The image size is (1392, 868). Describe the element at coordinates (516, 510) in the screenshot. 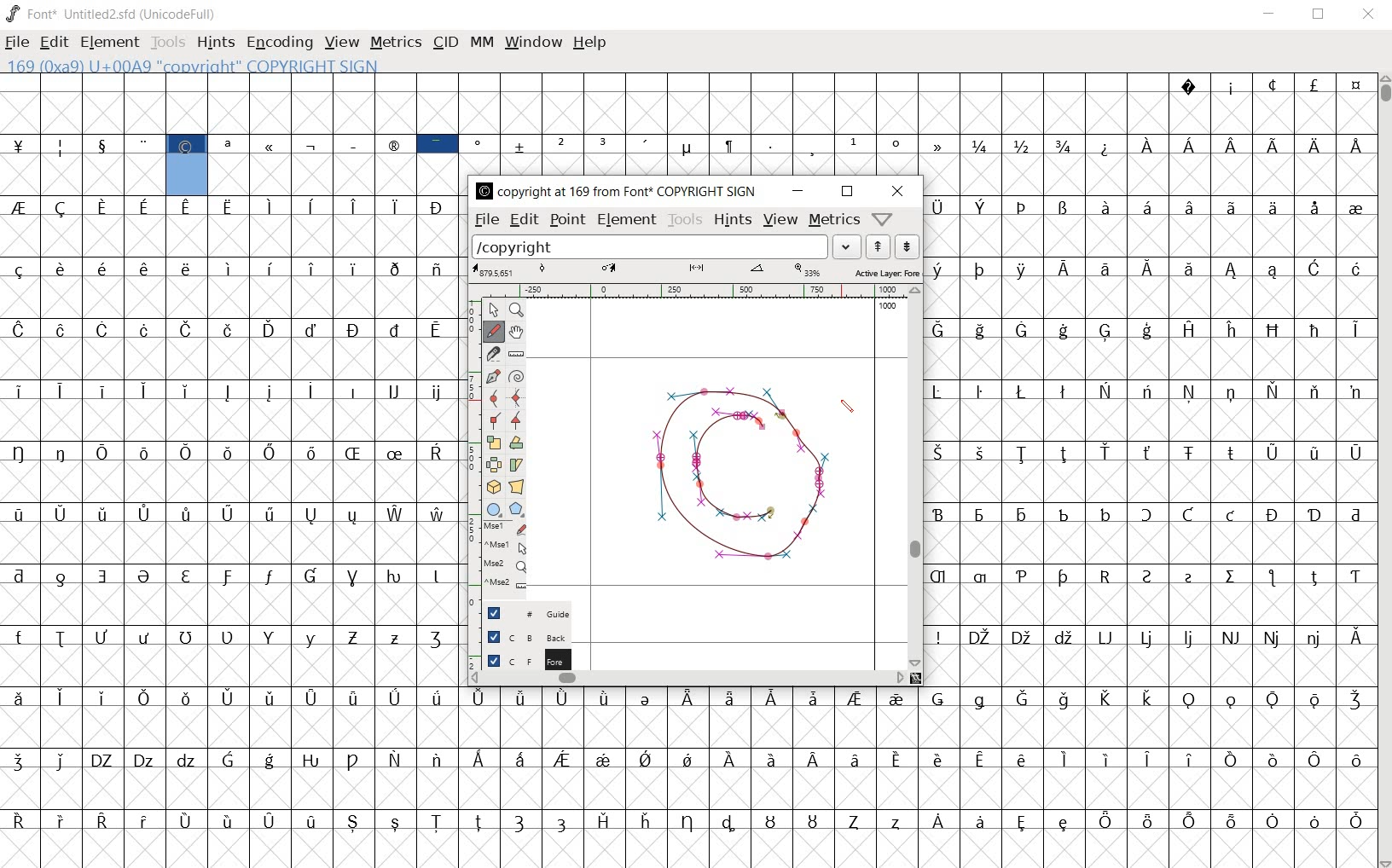

I see `polygon or star` at that location.